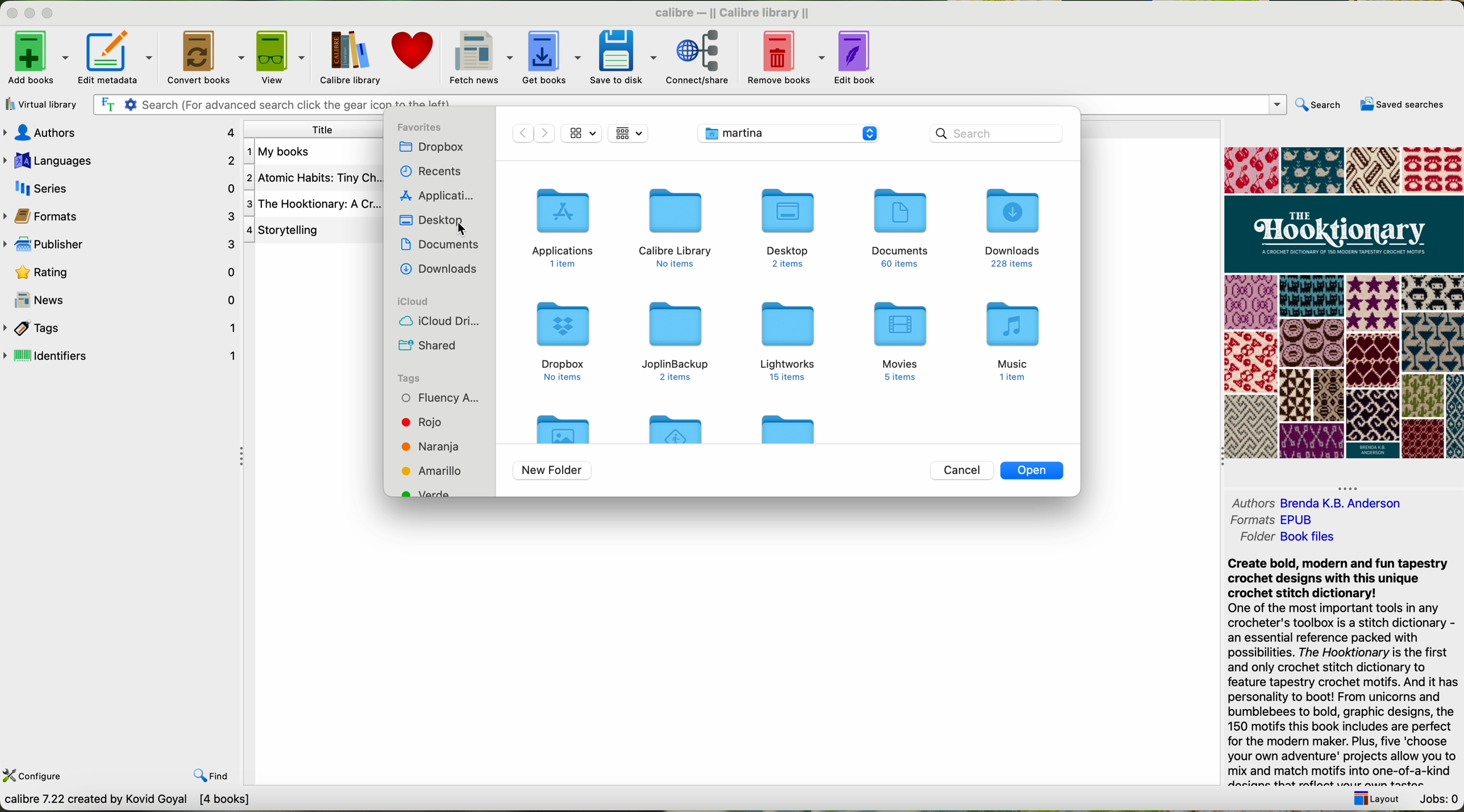 The height and width of the screenshot is (812, 1464). What do you see at coordinates (38, 58) in the screenshot?
I see `add books` at bounding box center [38, 58].